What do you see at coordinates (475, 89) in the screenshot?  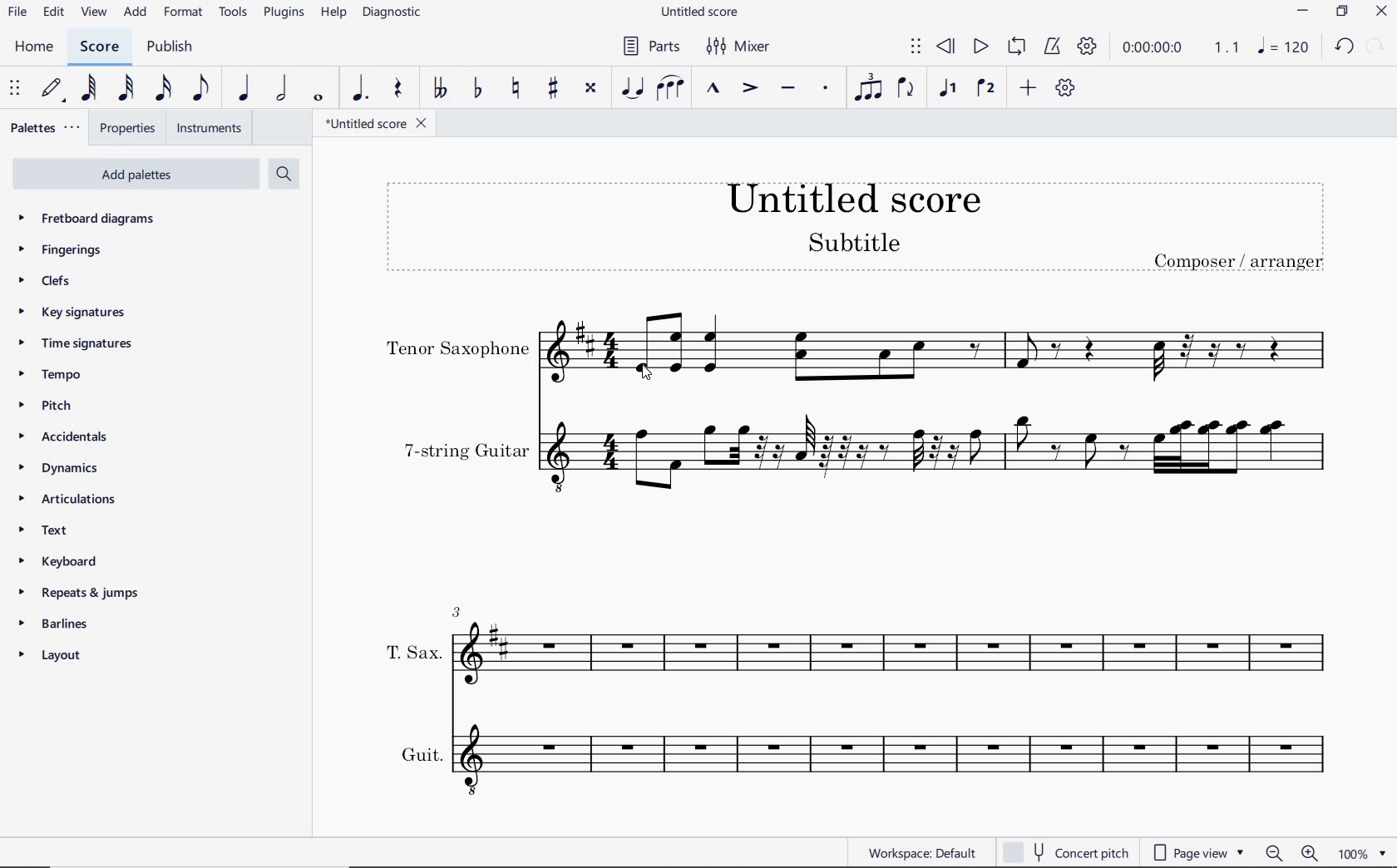 I see `TOGGLE FLAT` at bounding box center [475, 89].